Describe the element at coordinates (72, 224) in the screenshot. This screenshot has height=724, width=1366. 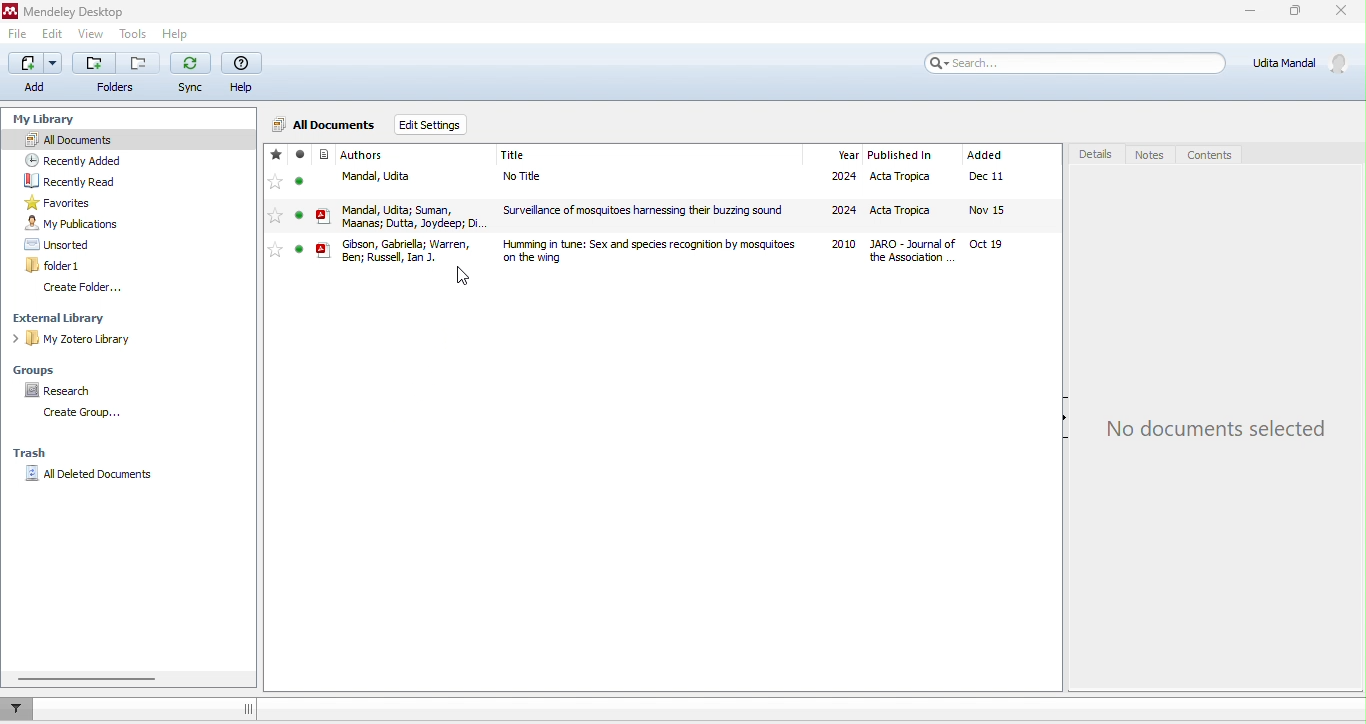
I see `my publication` at that location.